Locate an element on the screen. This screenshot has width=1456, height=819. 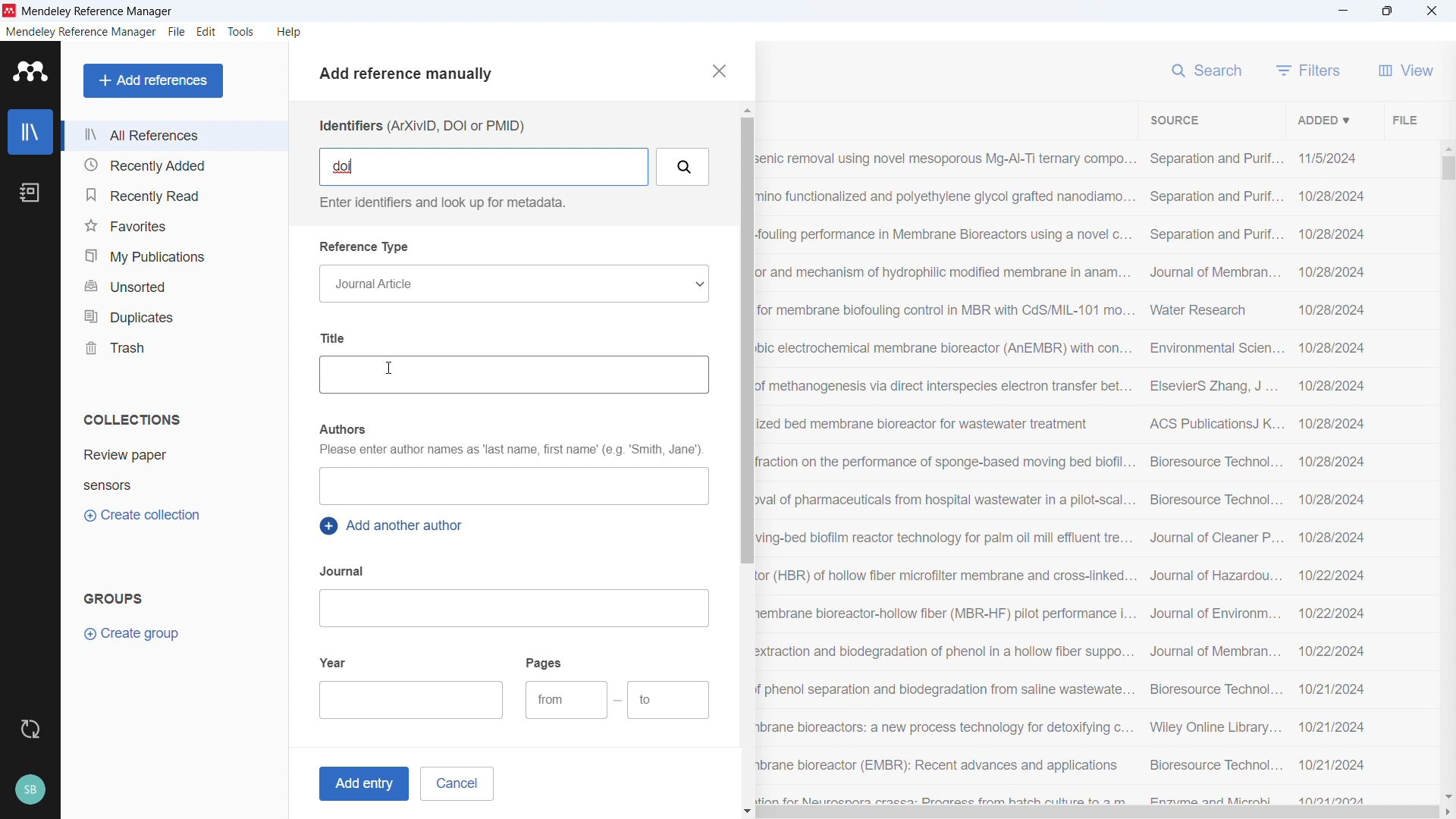
Add authors  is located at coordinates (513, 486).